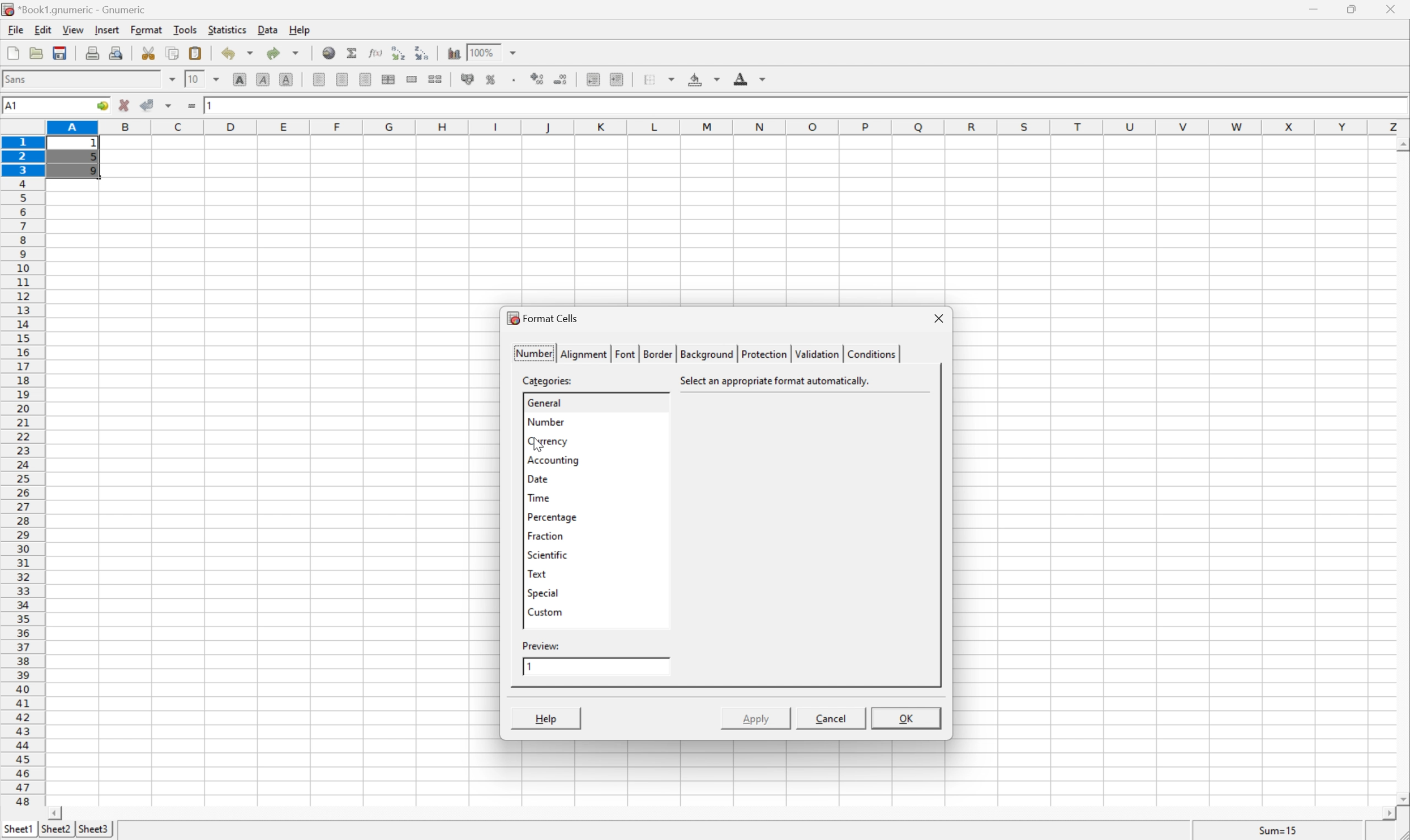 The image size is (1410, 840). I want to click on close, so click(939, 319).